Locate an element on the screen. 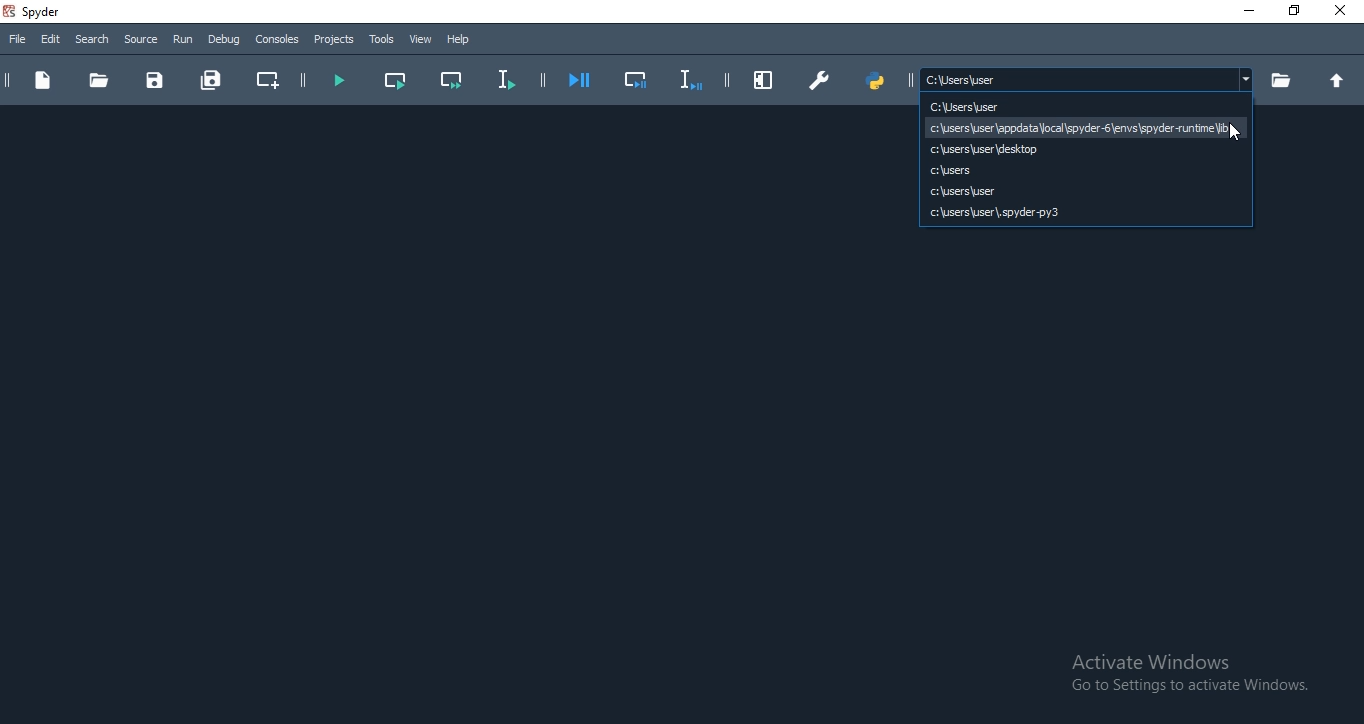  Projects is located at coordinates (334, 40).